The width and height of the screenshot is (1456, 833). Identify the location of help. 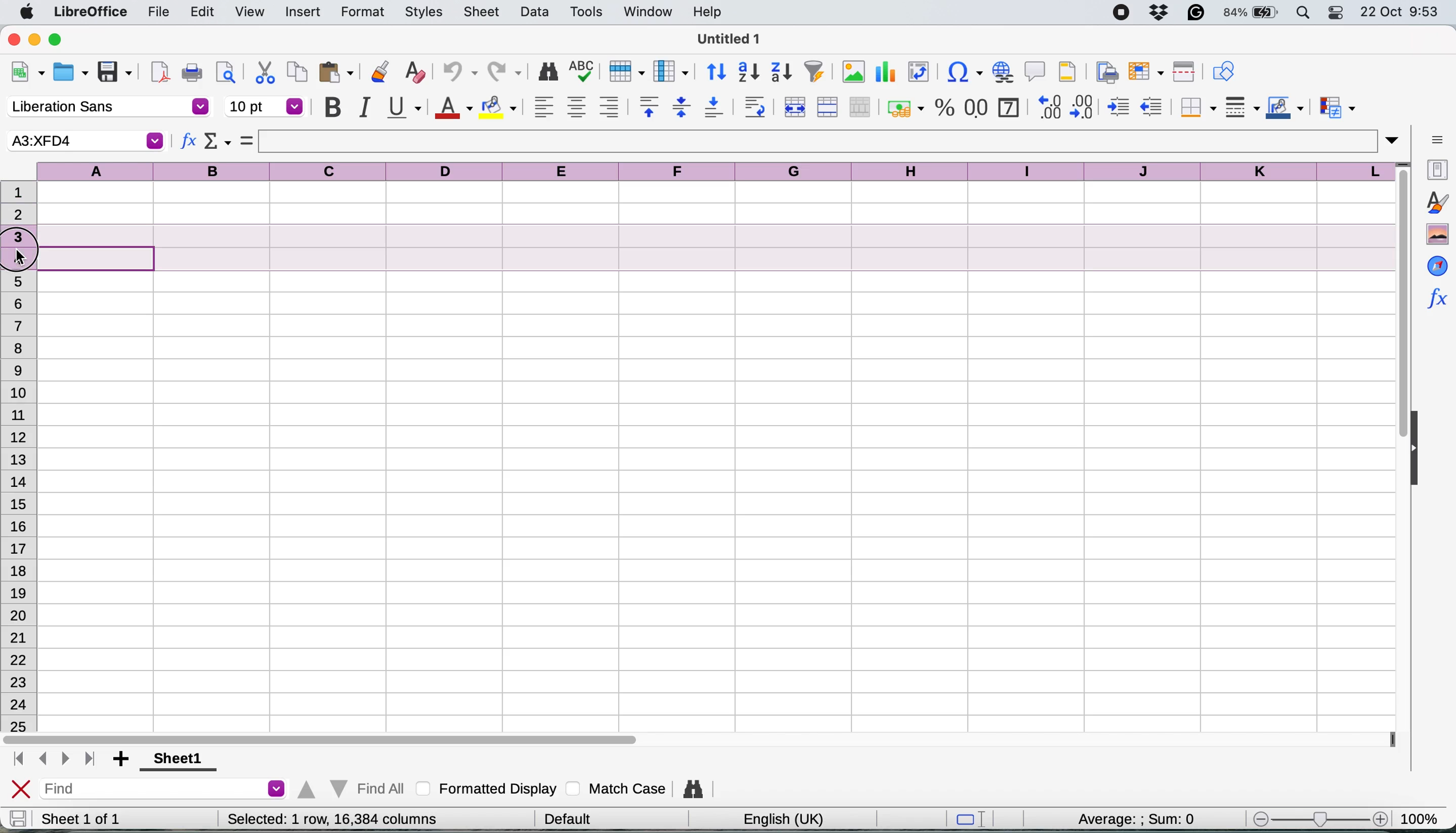
(710, 11).